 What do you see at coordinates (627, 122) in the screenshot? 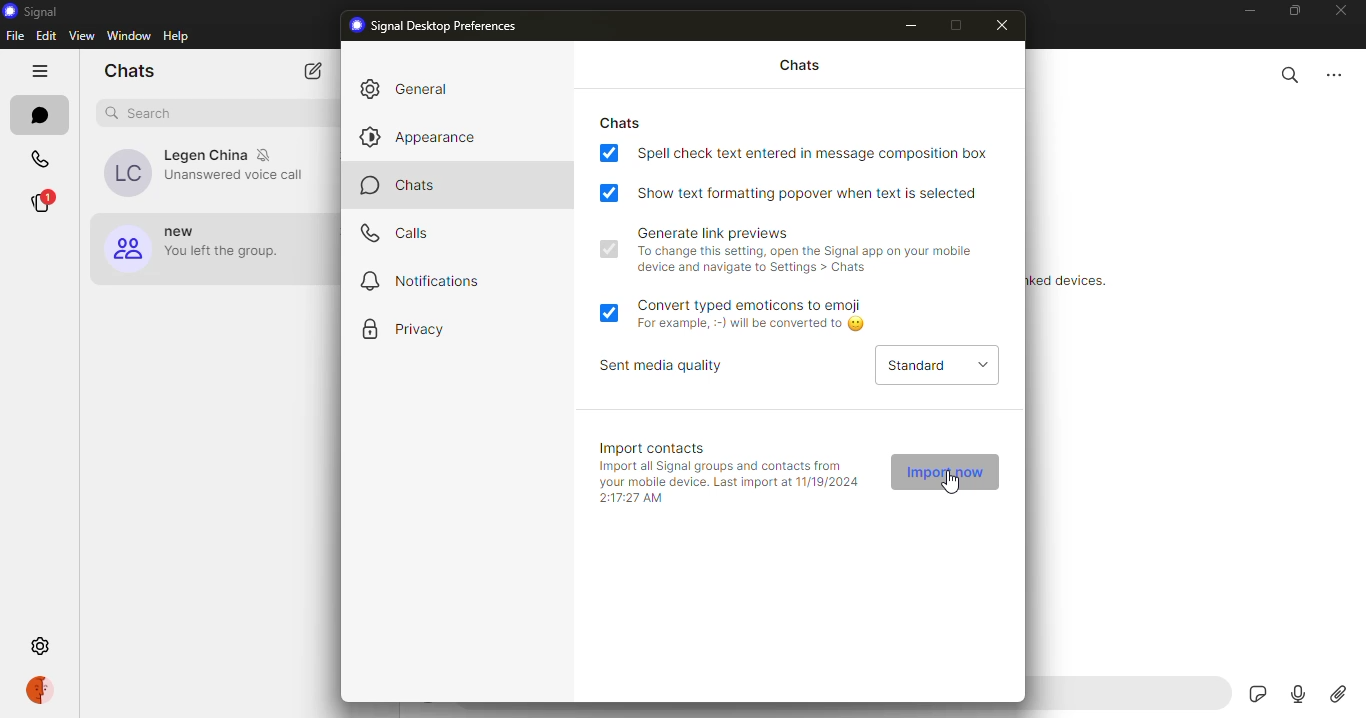
I see `chats` at bounding box center [627, 122].